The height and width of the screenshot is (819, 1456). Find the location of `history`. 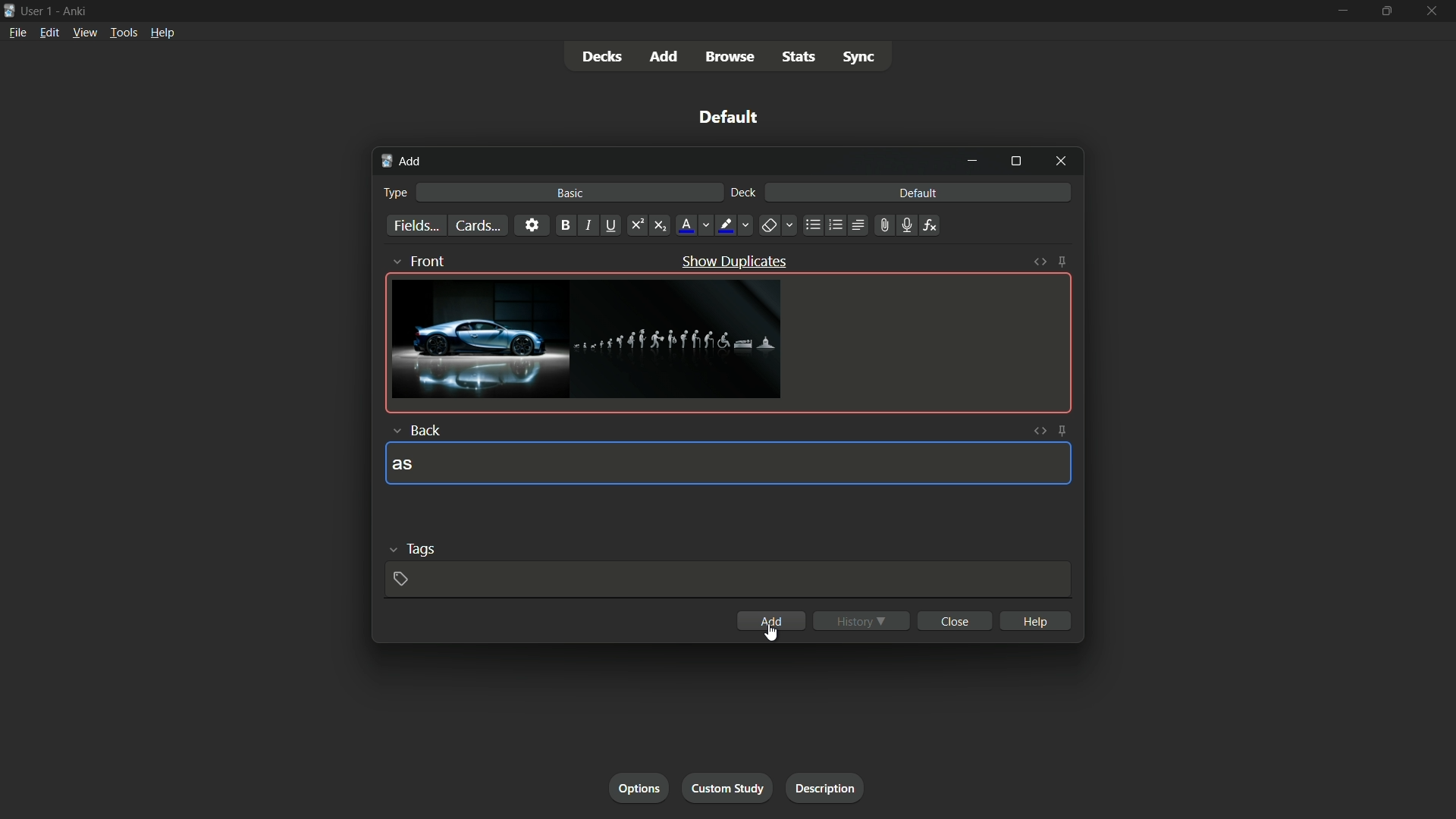

history is located at coordinates (862, 621).